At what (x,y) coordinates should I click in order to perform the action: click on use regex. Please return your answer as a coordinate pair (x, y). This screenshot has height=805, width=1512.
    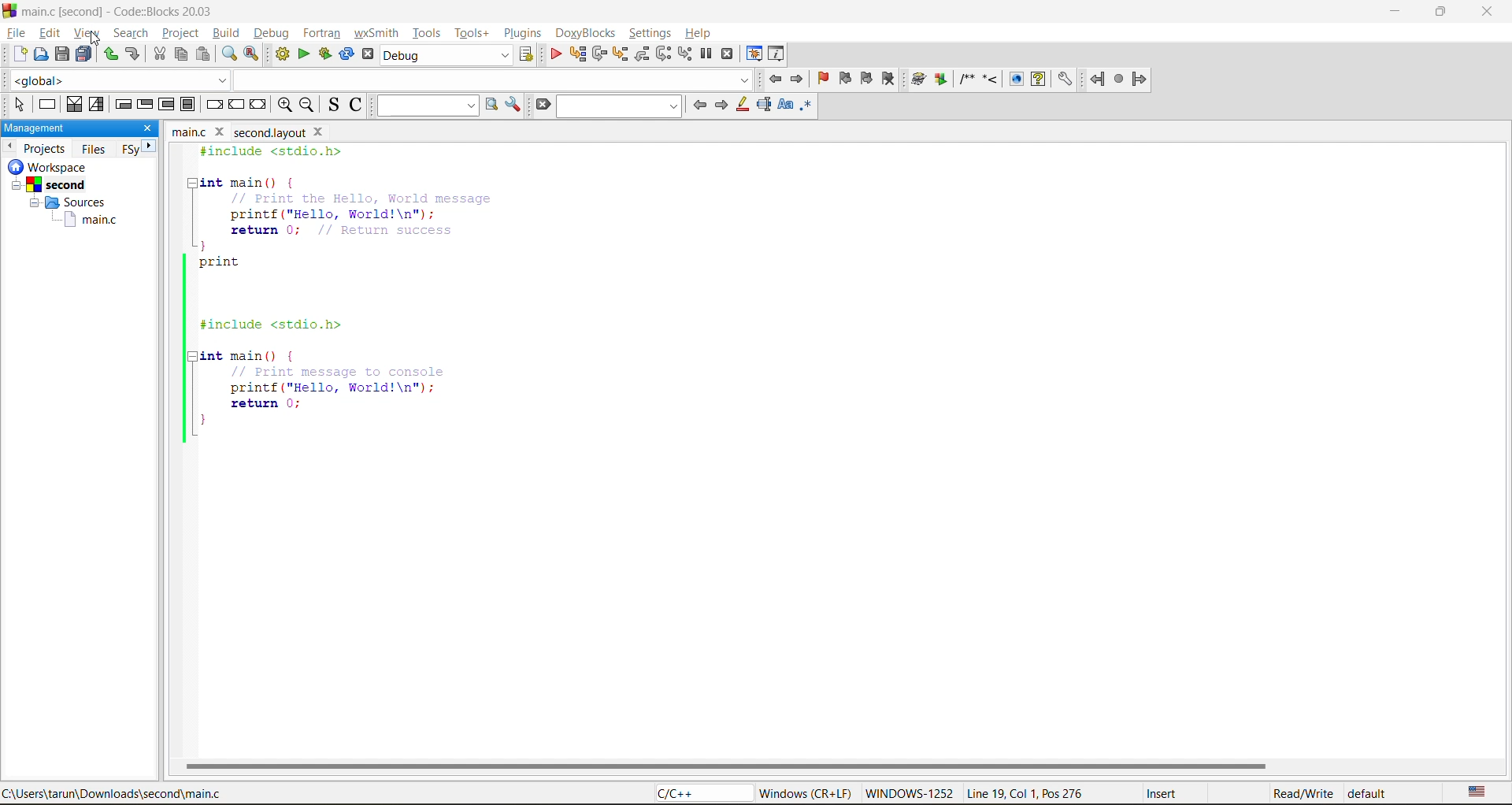
    Looking at the image, I should click on (807, 108).